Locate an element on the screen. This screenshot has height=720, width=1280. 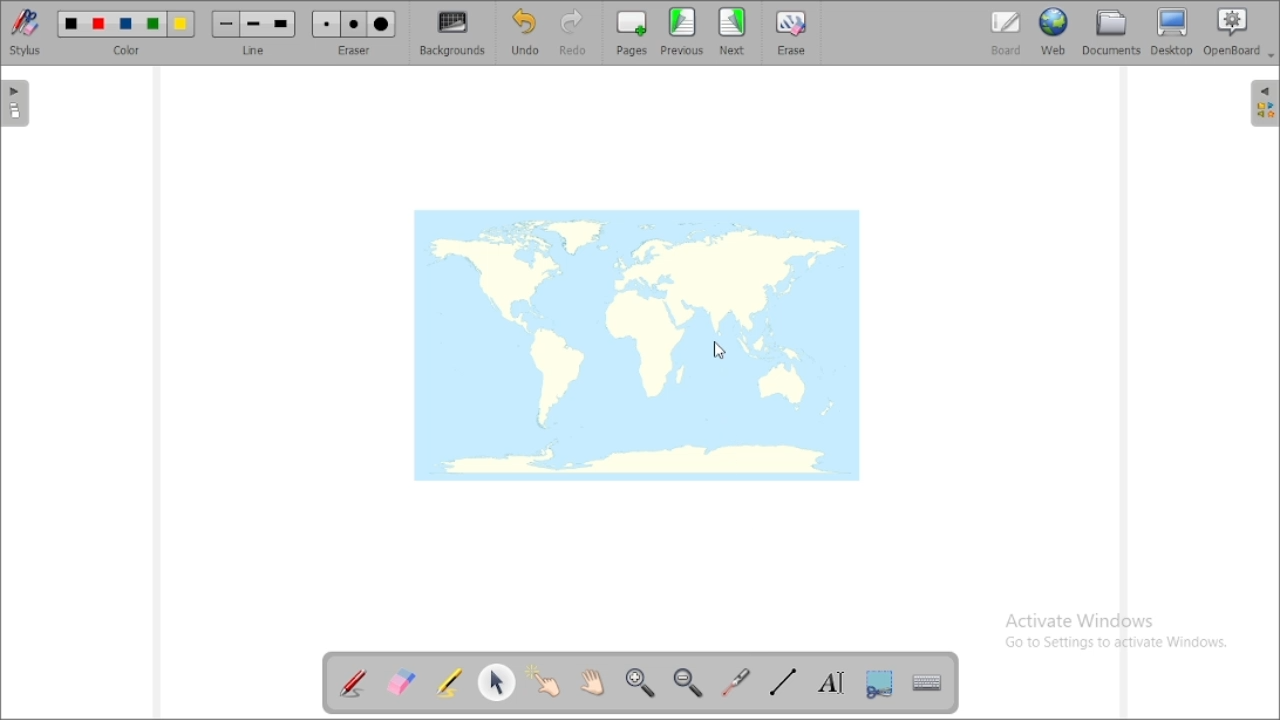
pages is located at coordinates (632, 33).